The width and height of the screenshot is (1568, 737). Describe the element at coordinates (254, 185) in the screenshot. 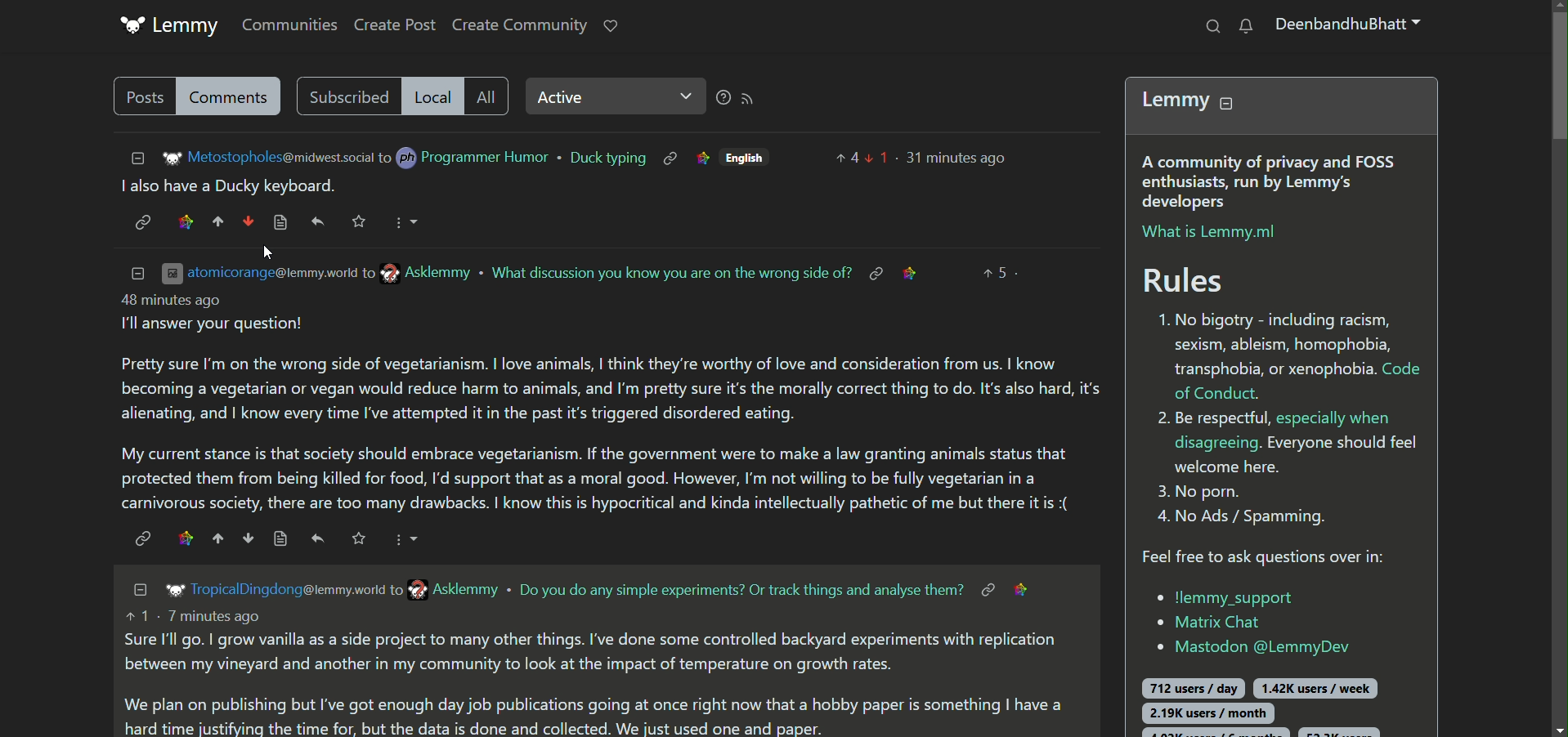

I see `reactions` at that location.